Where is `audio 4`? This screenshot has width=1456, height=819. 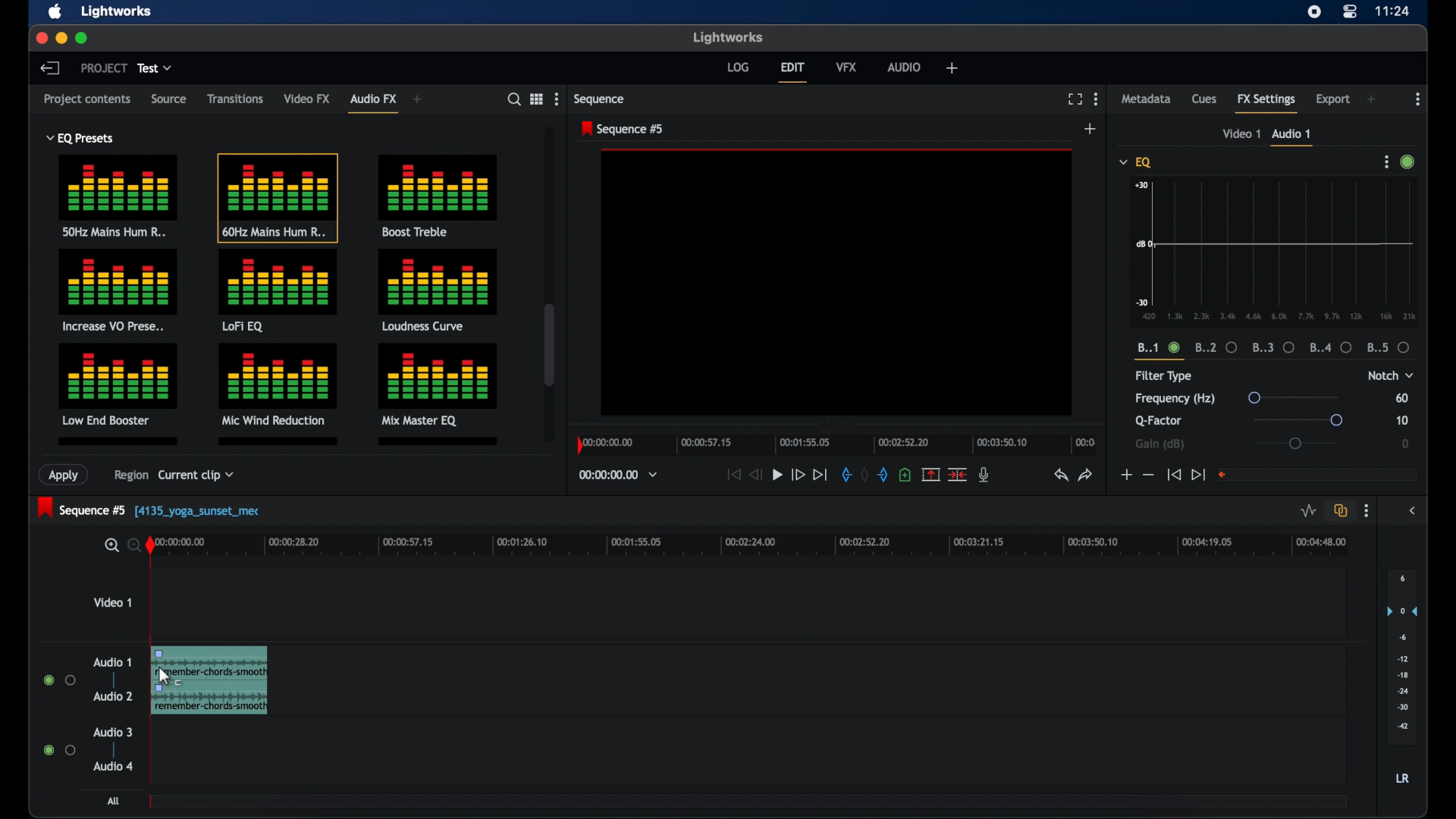 audio 4 is located at coordinates (114, 766).